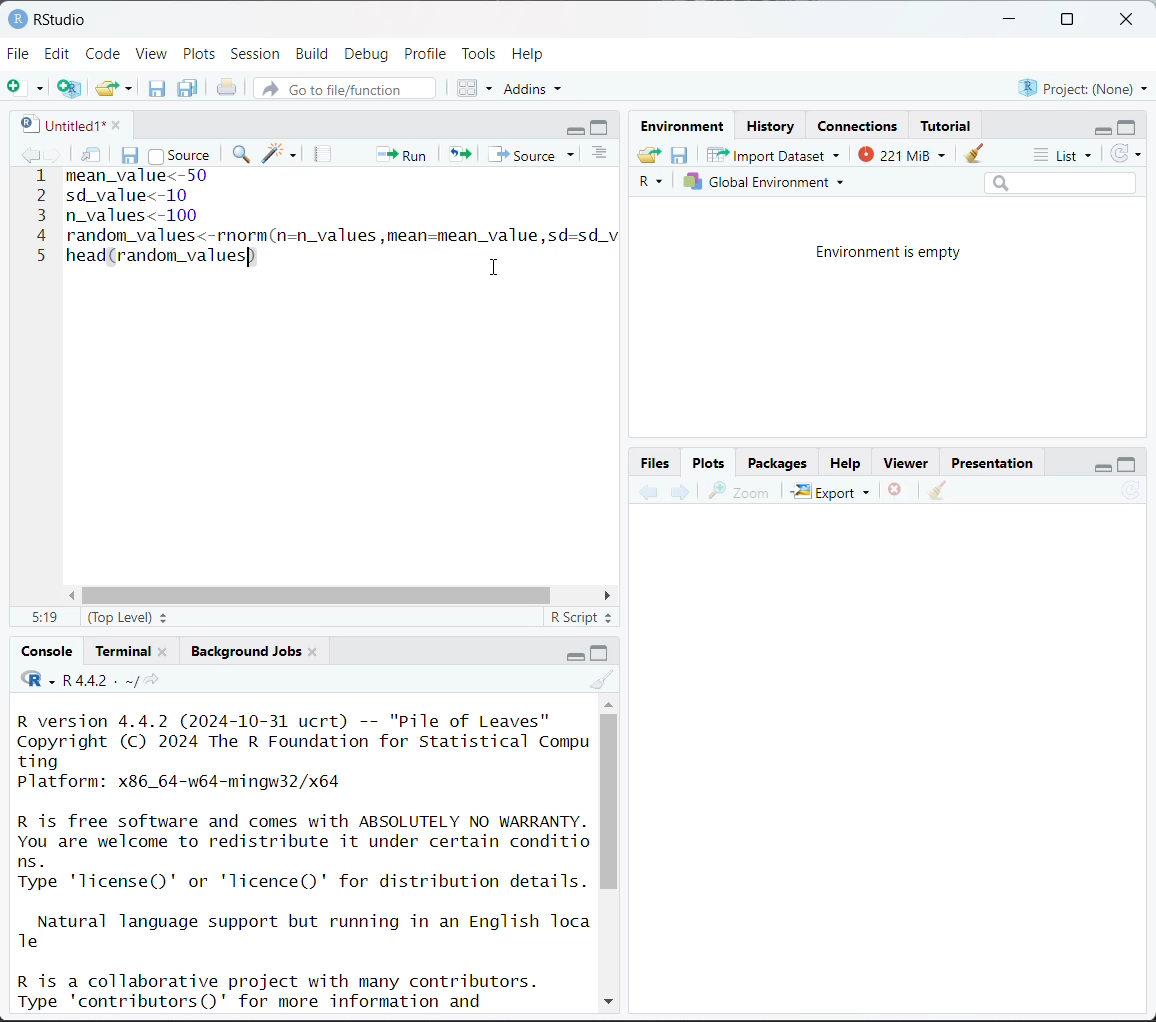 Image resolution: width=1156 pixels, height=1022 pixels. I want to click on down, so click(607, 998).